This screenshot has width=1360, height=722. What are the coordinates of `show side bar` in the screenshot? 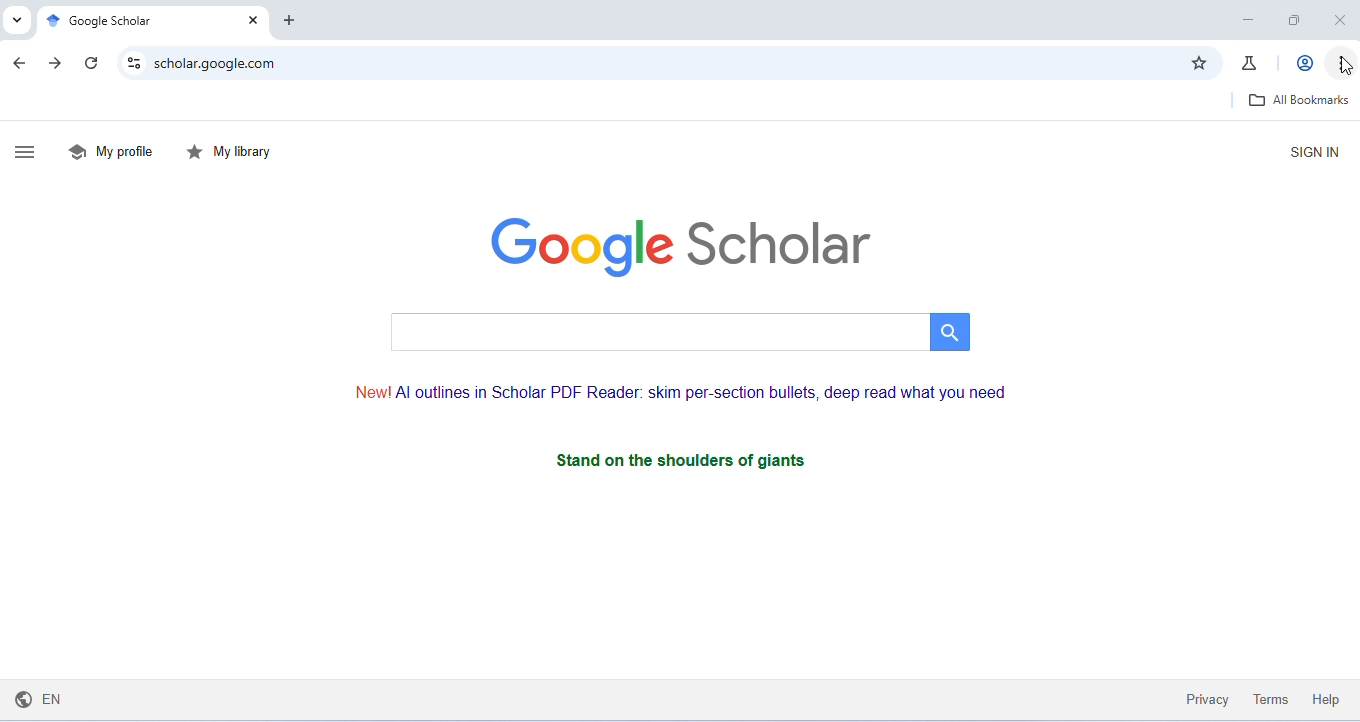 It's located at (31, 150).